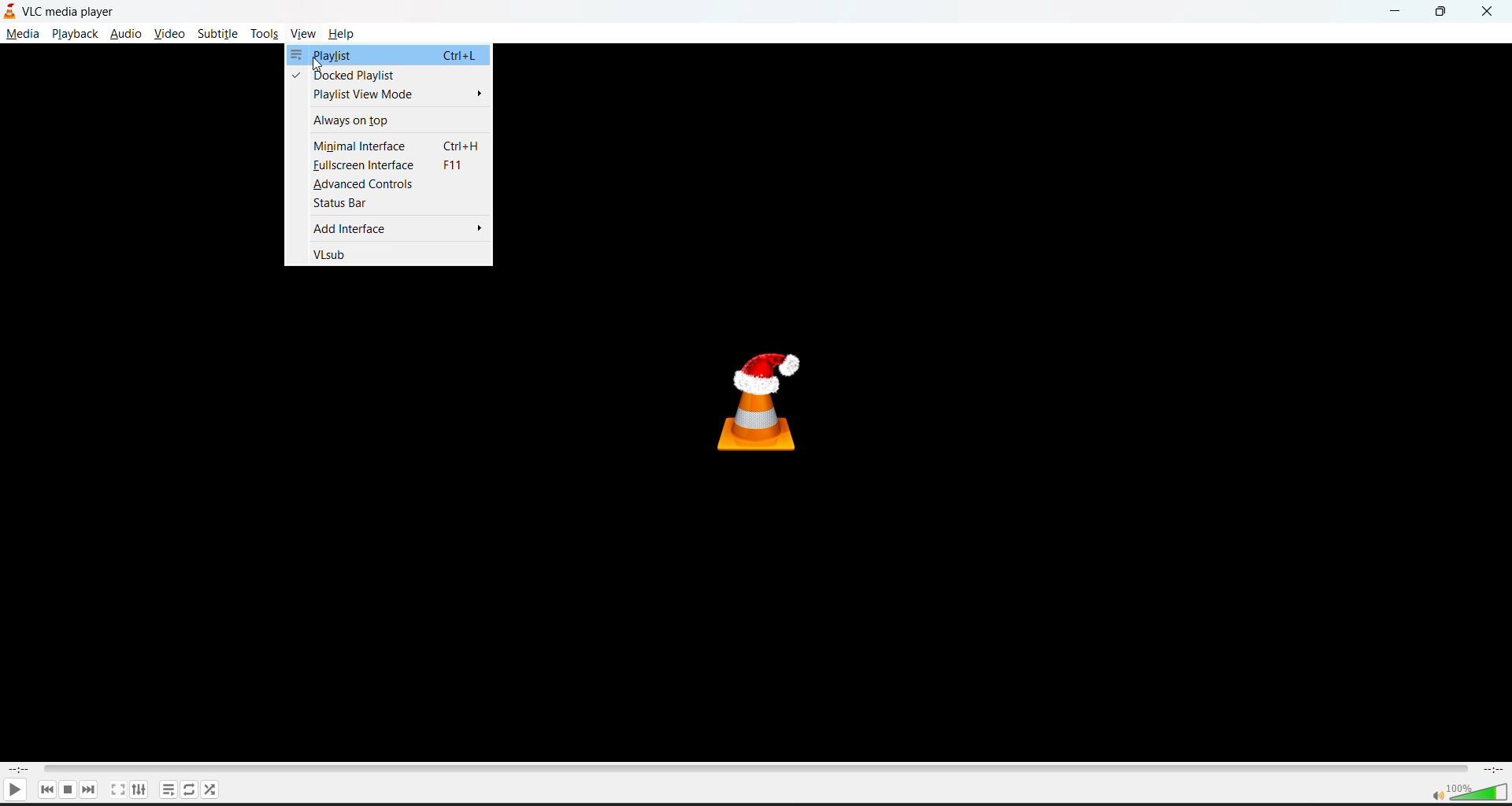  Describe the element at coordinates (191, 790) in the screenshot. I see `toggle loop ` at that location.